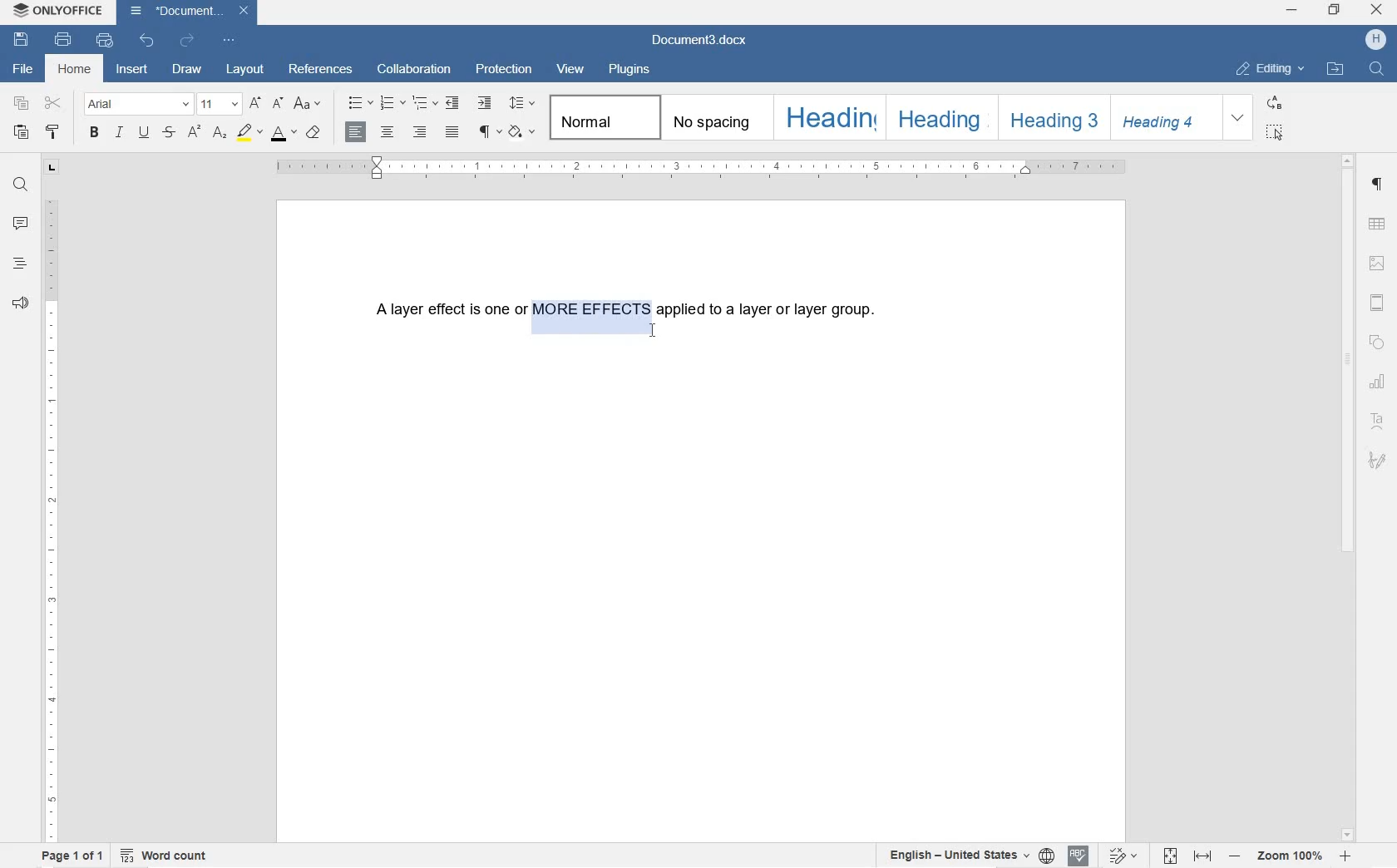  Describe the element at coordinates (418, 133) in the screenshot. I see `ALIGN RIGHT` at that location.